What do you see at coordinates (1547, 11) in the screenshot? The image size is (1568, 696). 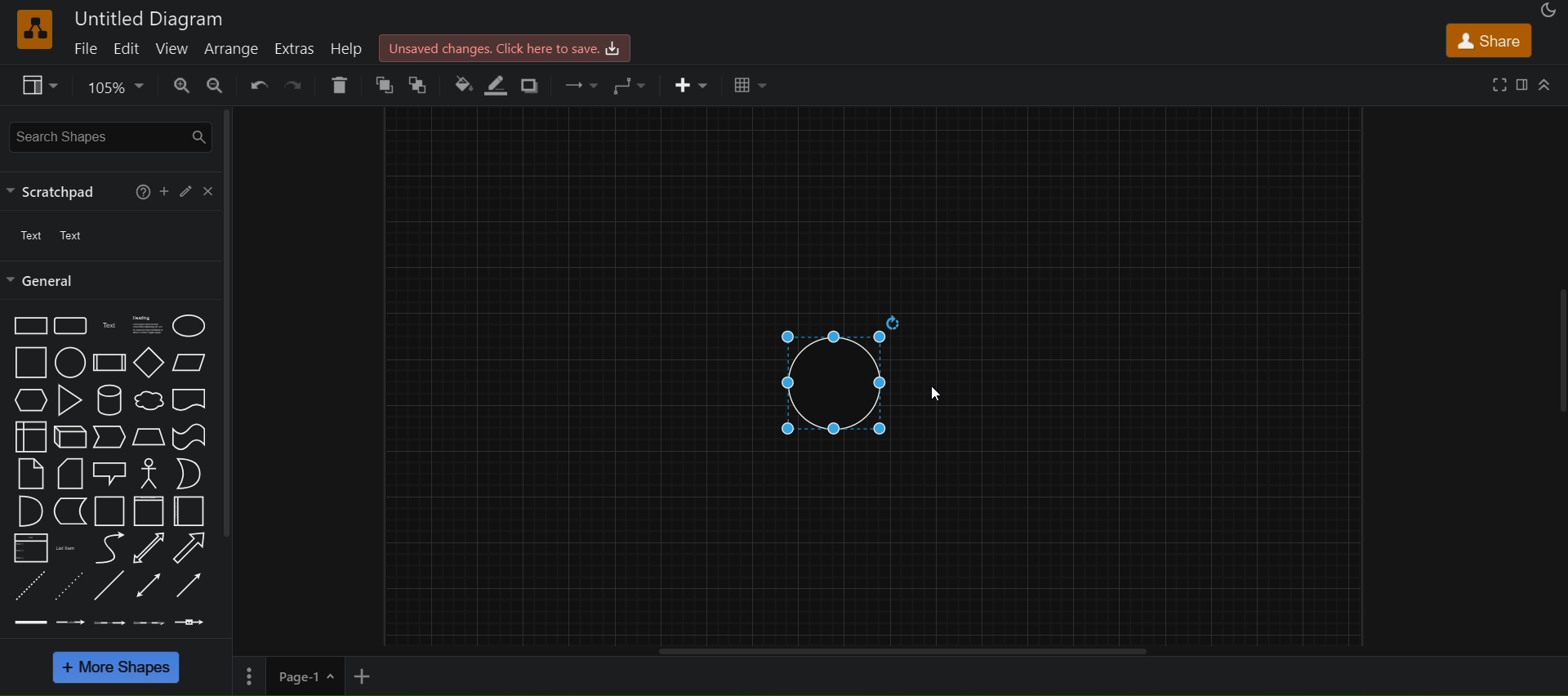 I see `appearance` at bounding box center [1547, 11].